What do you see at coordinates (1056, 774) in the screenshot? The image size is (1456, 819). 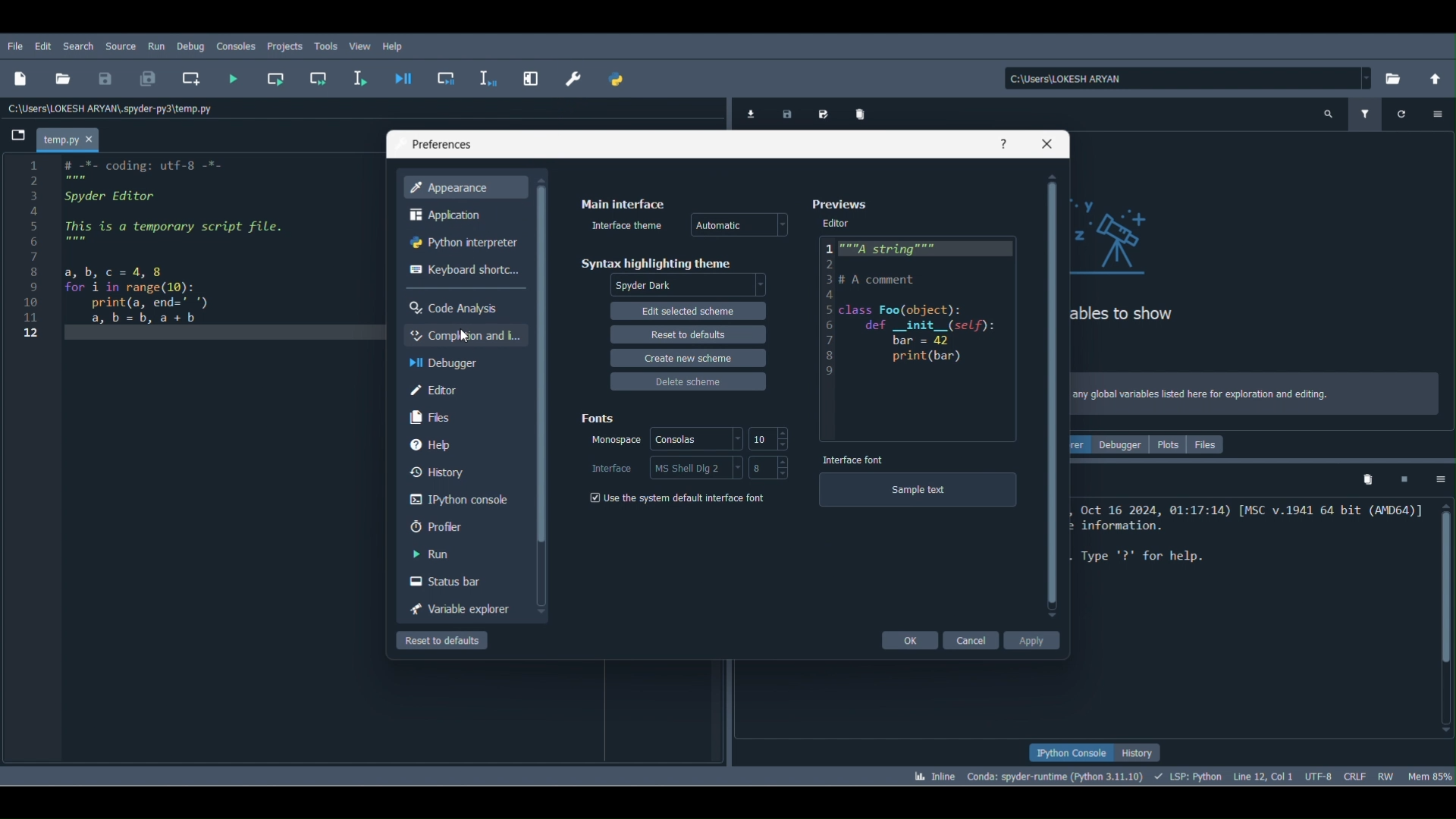 I see `Version` at bounding box center [1056, 774].